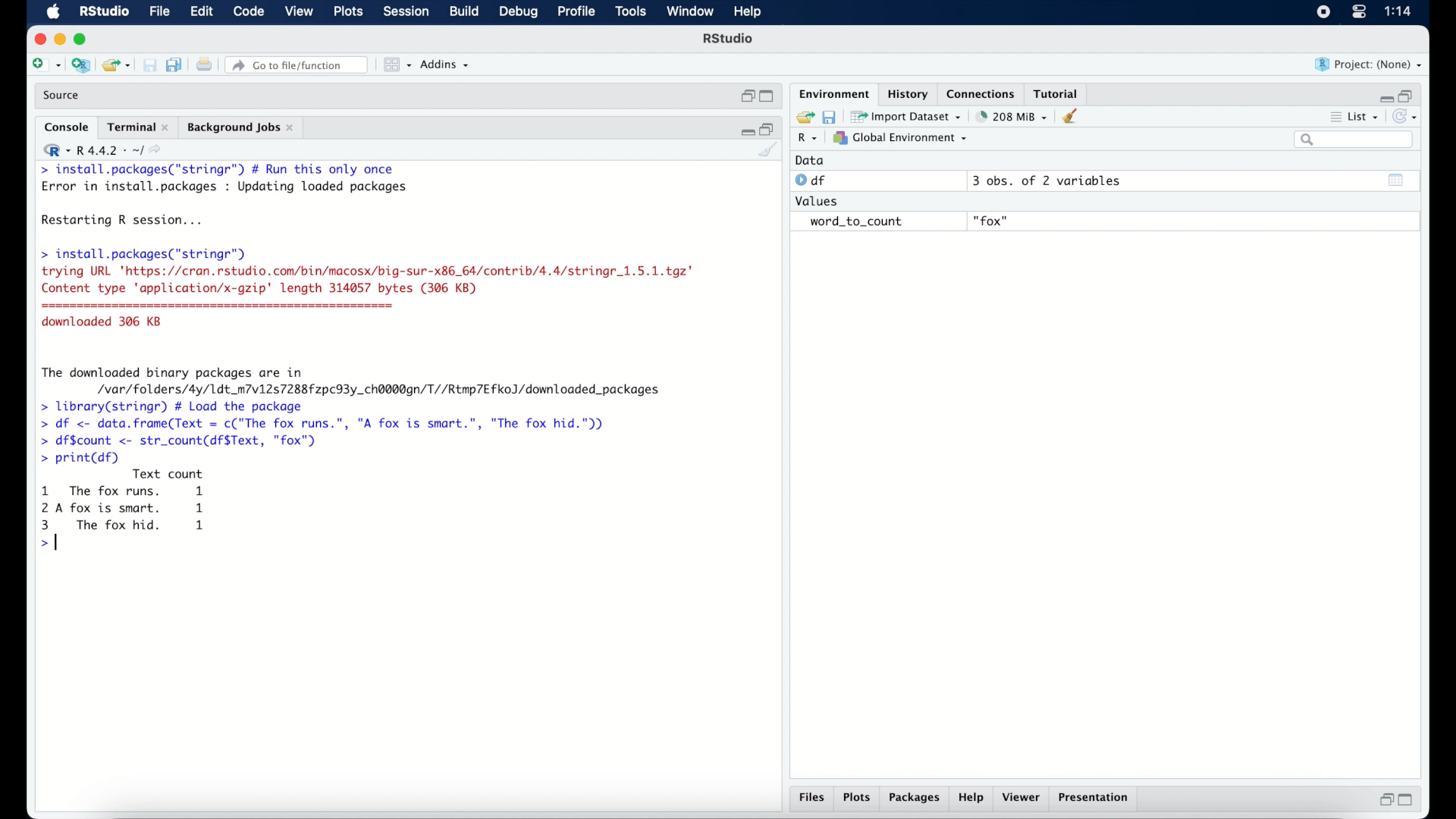 The image size is (1456, 819). What do you see at coordinates (38, 39) in the screenshot?
I see `close` at bounding box center [38, 39].